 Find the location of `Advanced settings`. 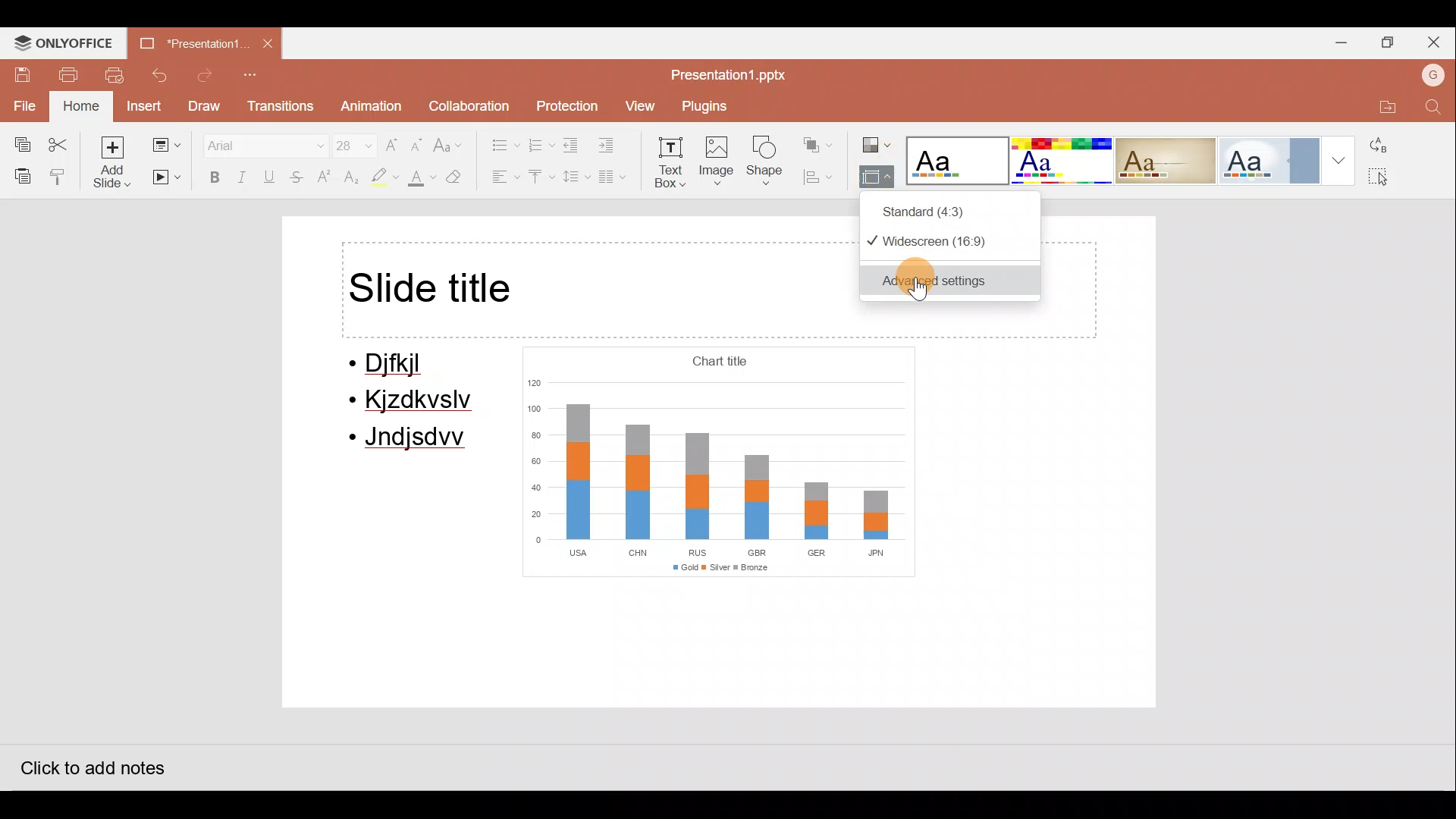

Advanced settings is located at coordinates (955, 281).